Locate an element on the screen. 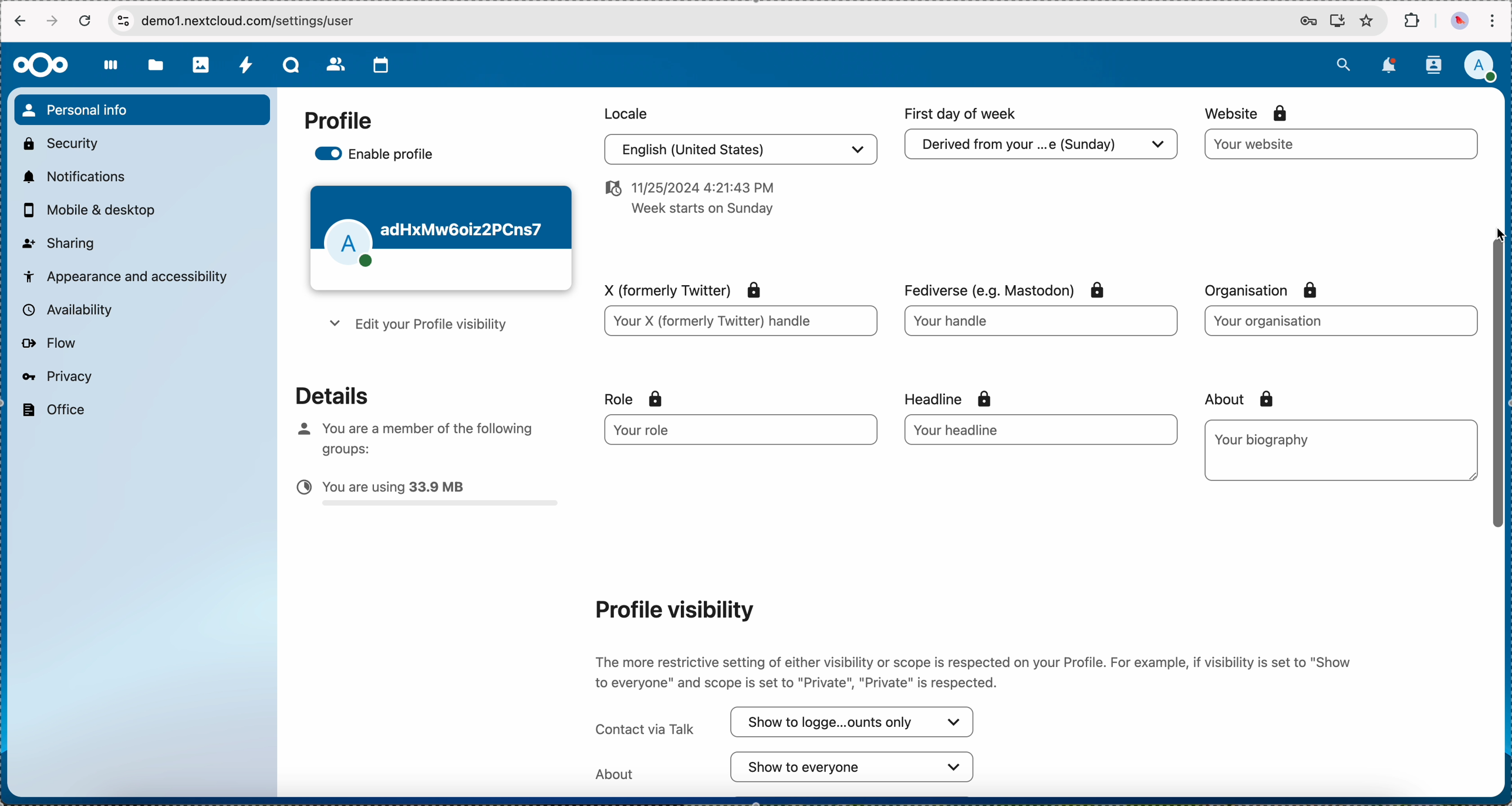 Image resolution: width=1512 pixels, height=806 pixels. mouse is located at coordinates (1498, 236).